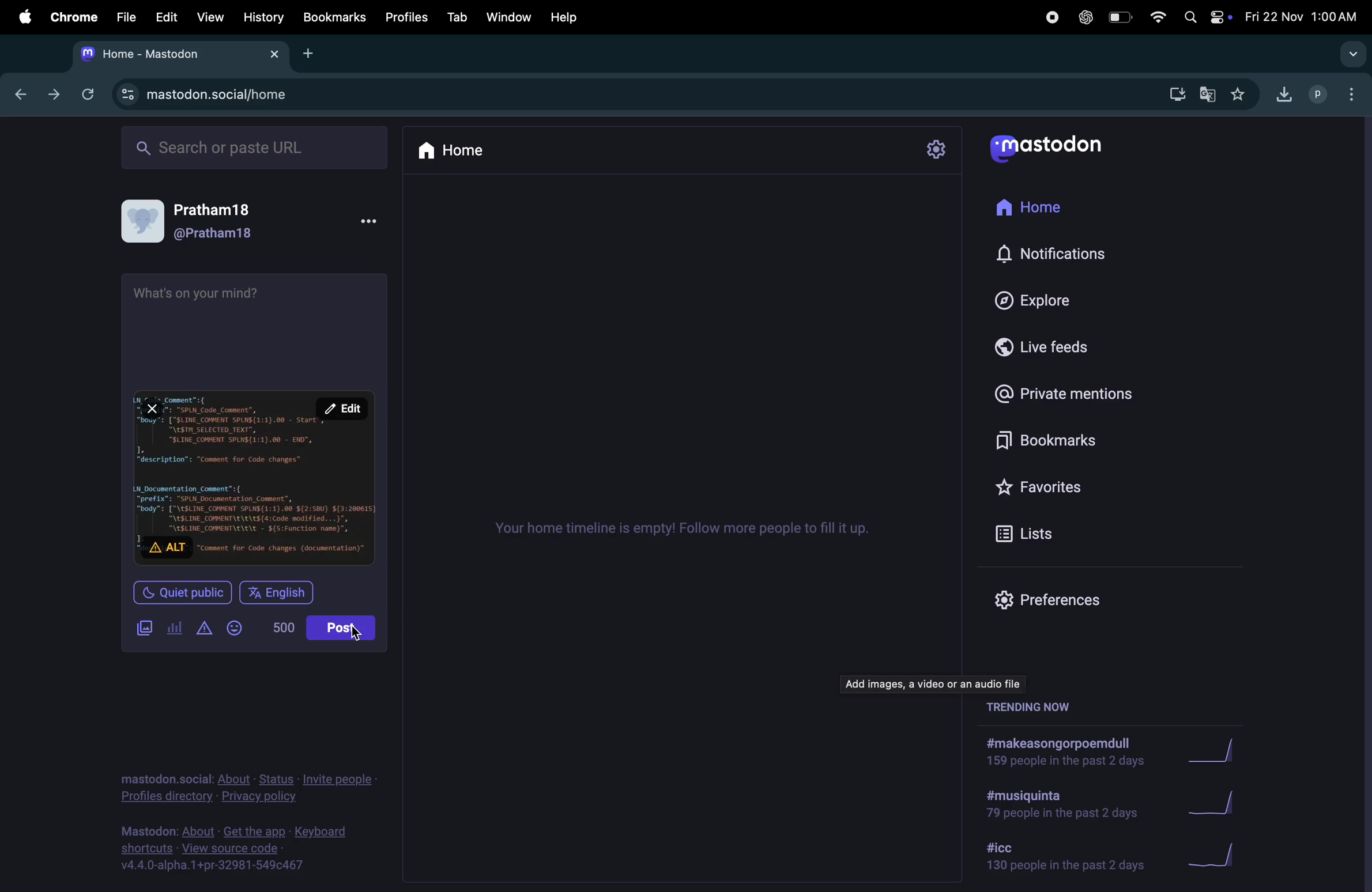 The width and height of the screenshot is (1372, 892). Describe the element at coordinates (307, 54) in the screenshot. I see `new tab` at that location.